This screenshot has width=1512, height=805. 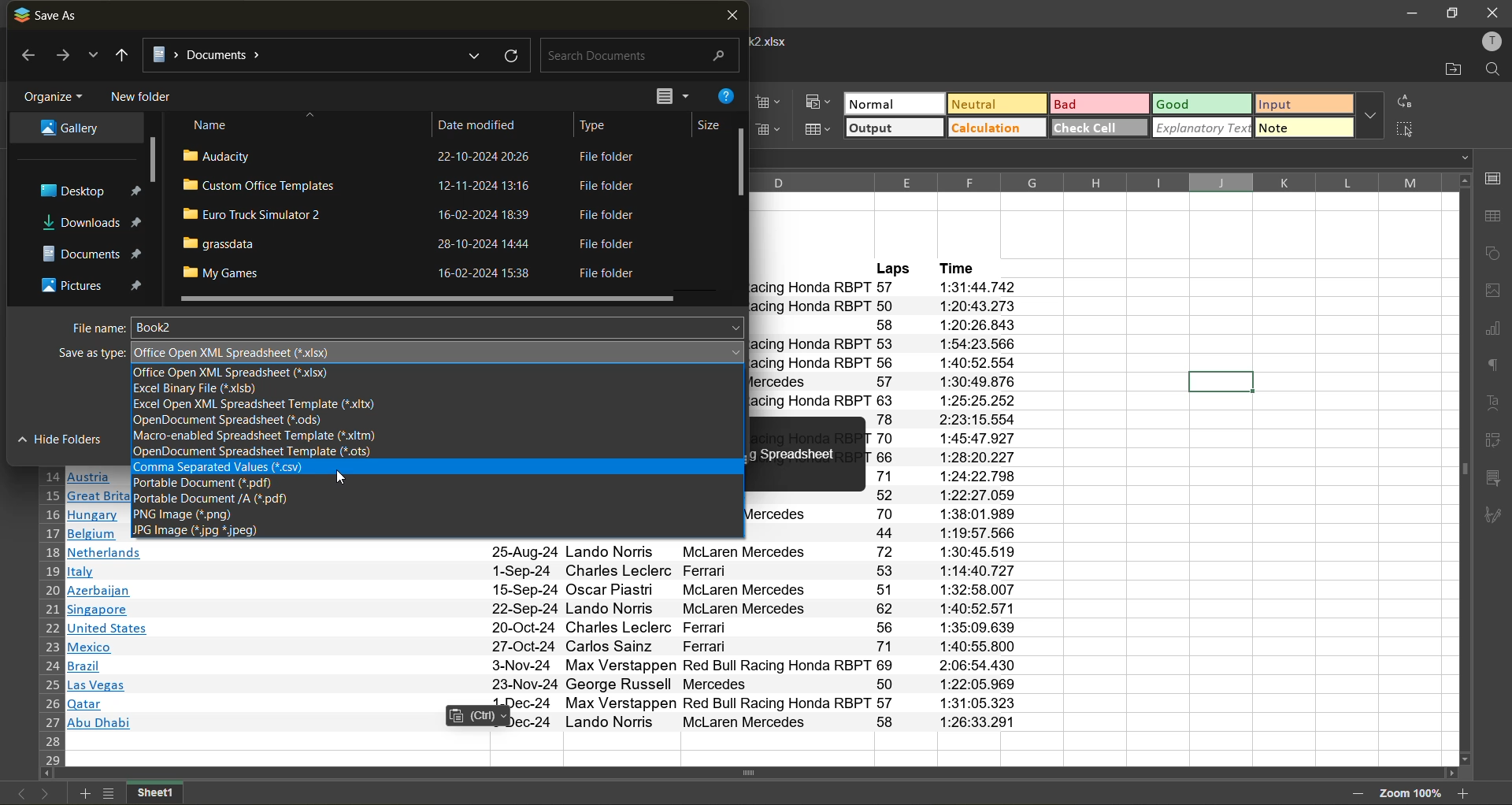 I want to click on table, so click(x=1494, y=219).